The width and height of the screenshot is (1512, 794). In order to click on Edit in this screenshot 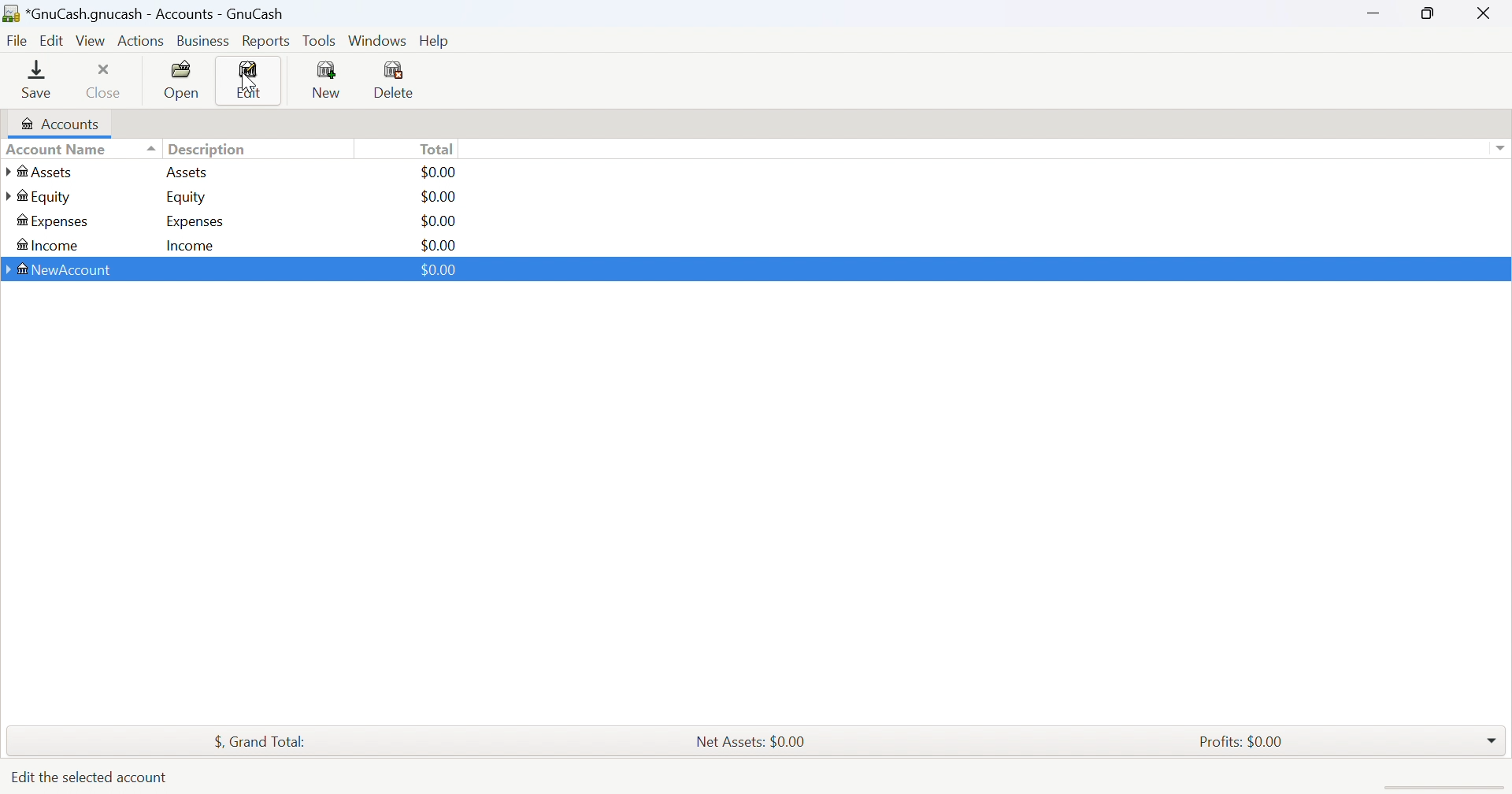, I will do `click(54, 39)`.